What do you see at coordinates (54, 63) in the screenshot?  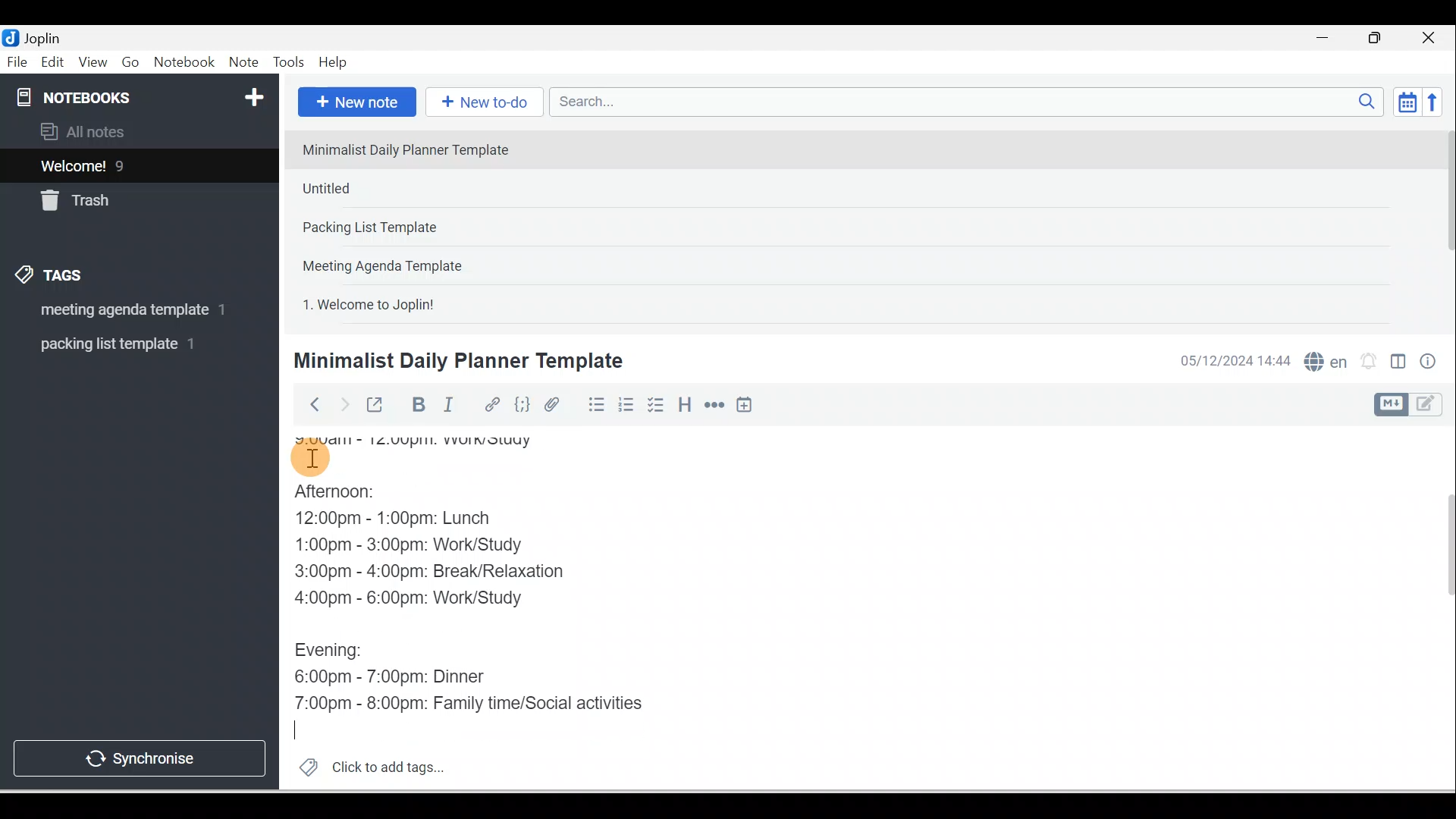 I see `Edit` at bounding box center [54, 63].